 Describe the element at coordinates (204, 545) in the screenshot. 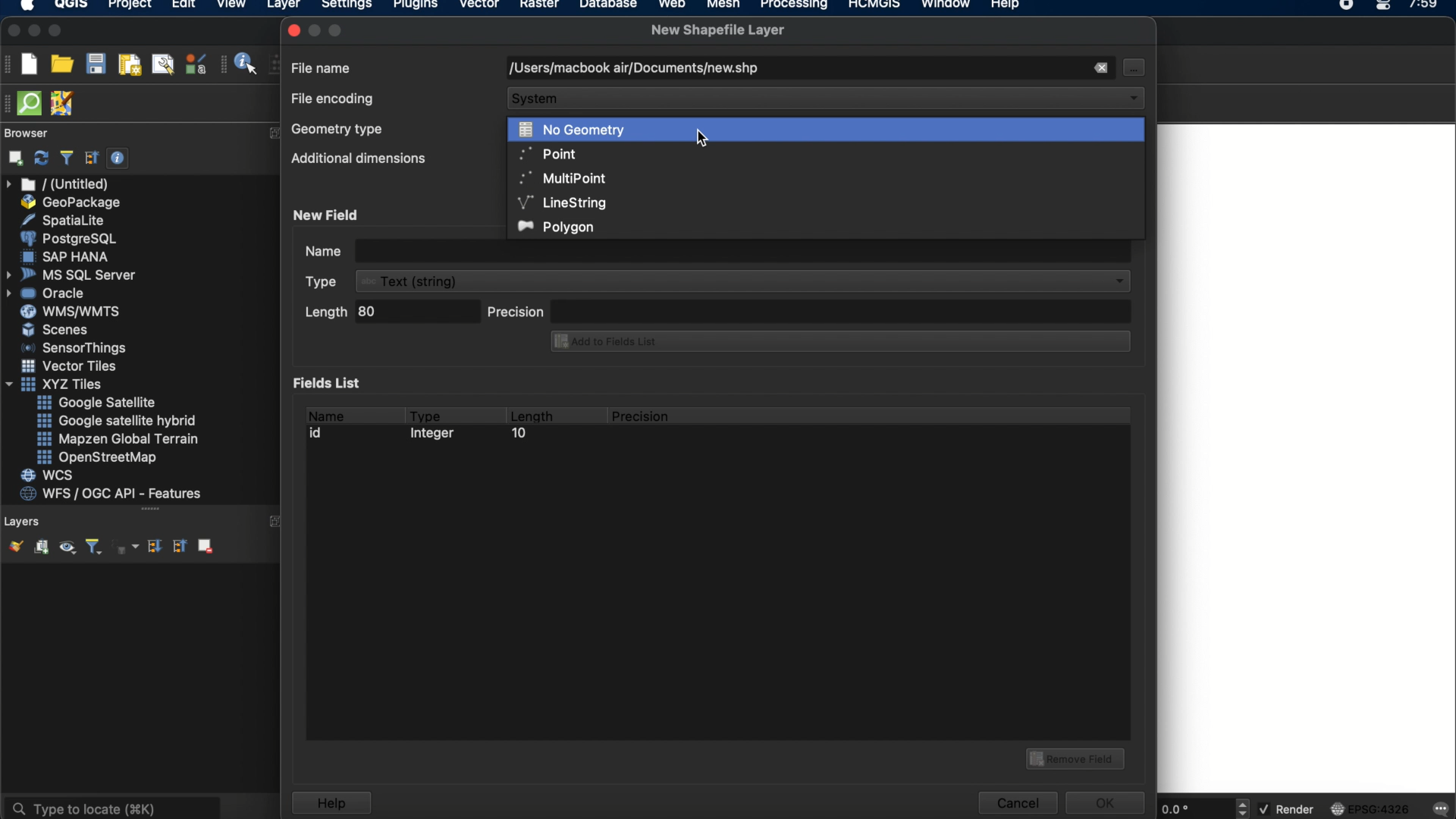

I see `remove layer group` at that location.